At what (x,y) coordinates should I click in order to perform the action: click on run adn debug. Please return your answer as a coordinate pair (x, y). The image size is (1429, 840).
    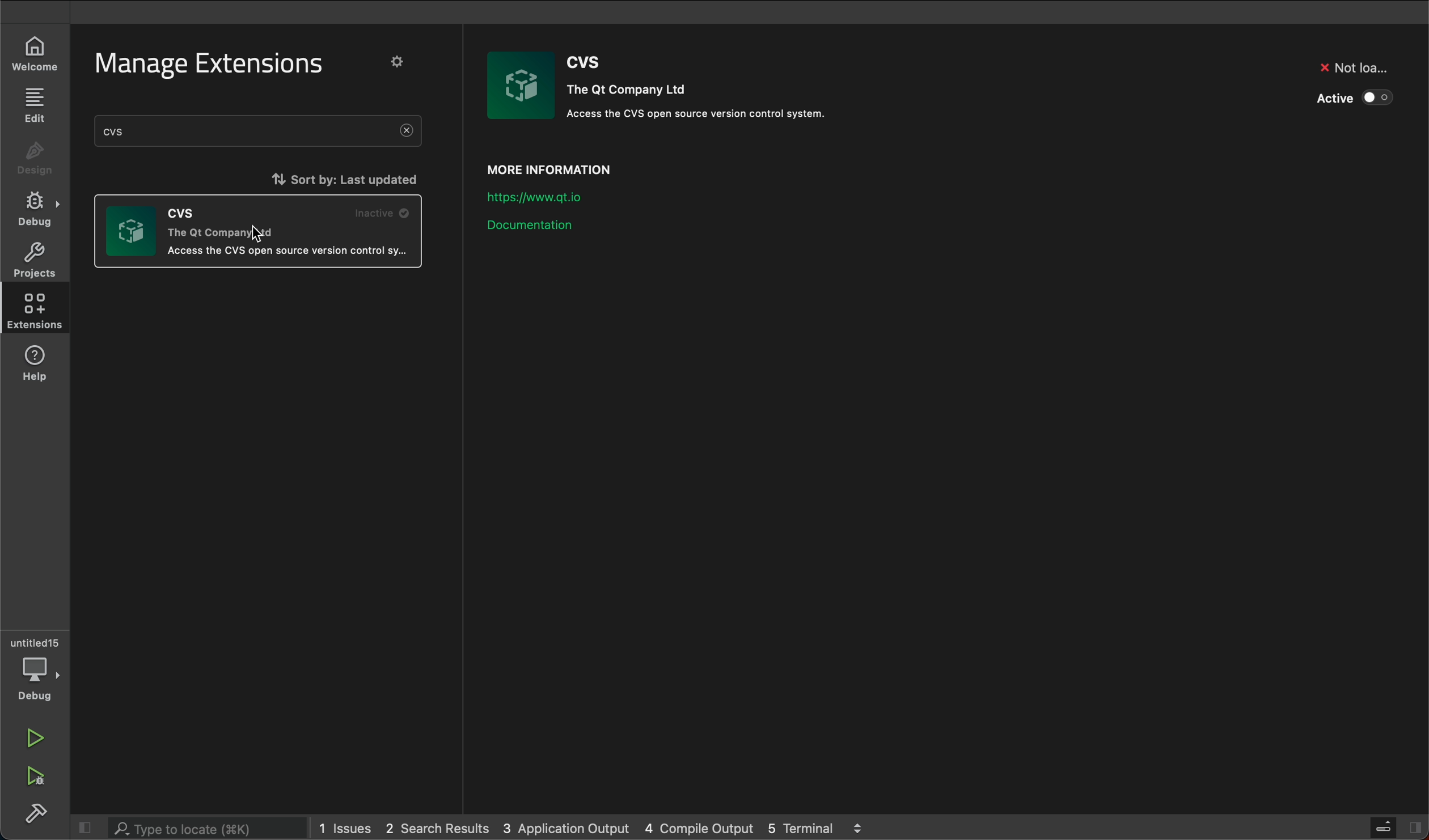
    Looking at the image, I should click on (34, 777).